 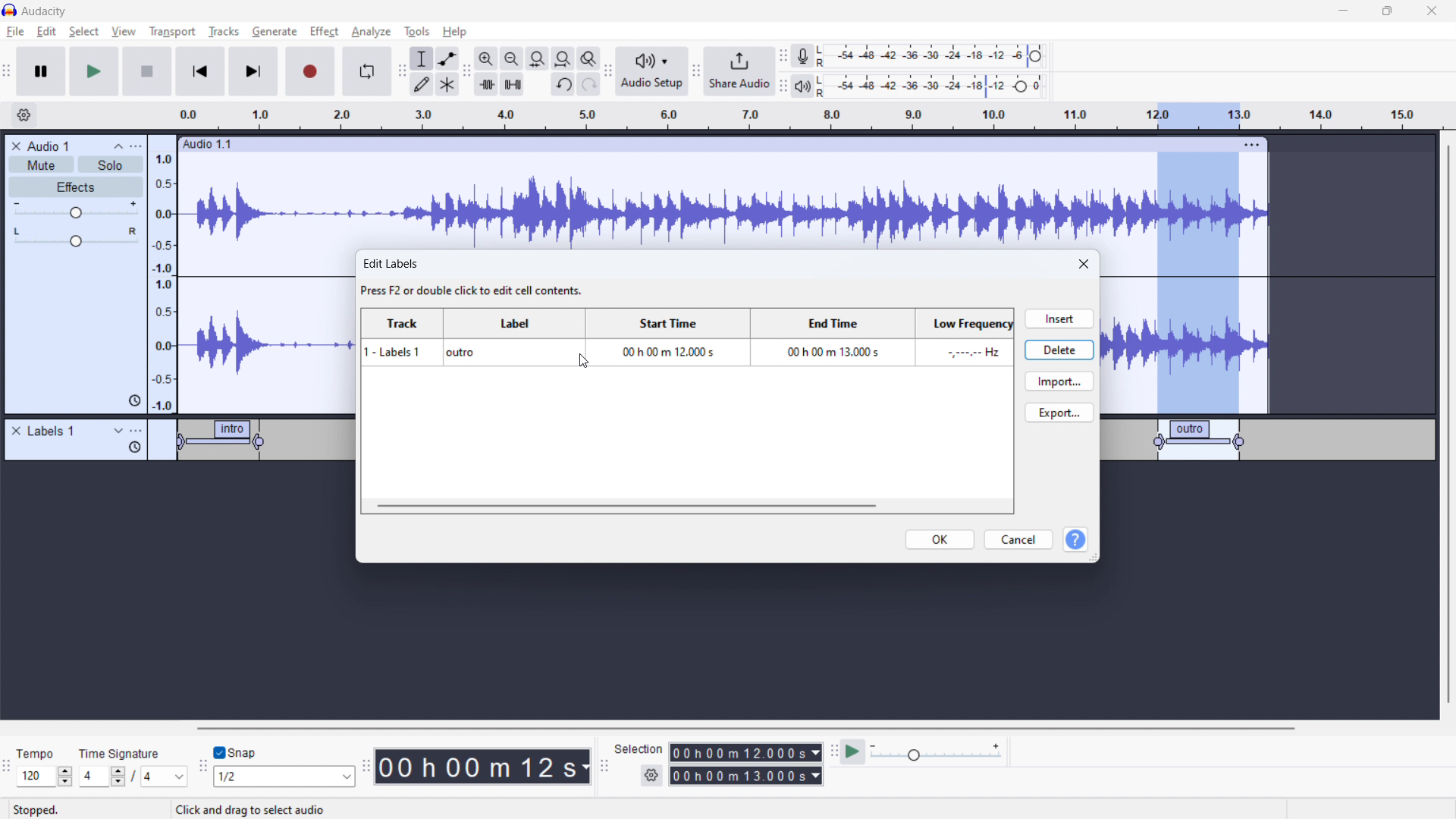 What do you see at coordinates (136, 432) in the screenshot?
I see `labels options` at bounding box center [136, 432].